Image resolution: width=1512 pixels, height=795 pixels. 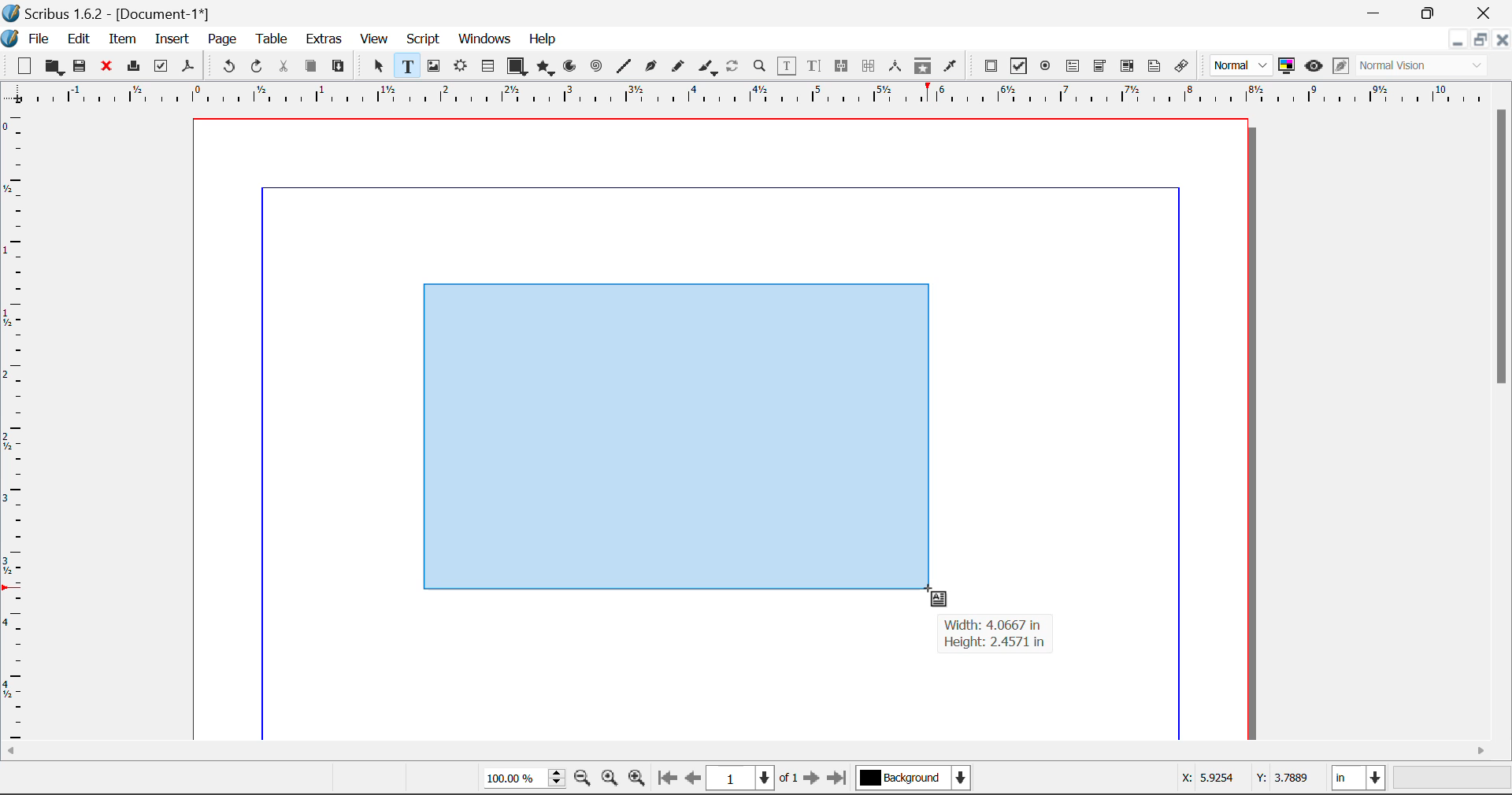 What do you see at coordinates (1431, 12) in the screenshot?
I see `Minimize` at bounding box center [1431, 12].